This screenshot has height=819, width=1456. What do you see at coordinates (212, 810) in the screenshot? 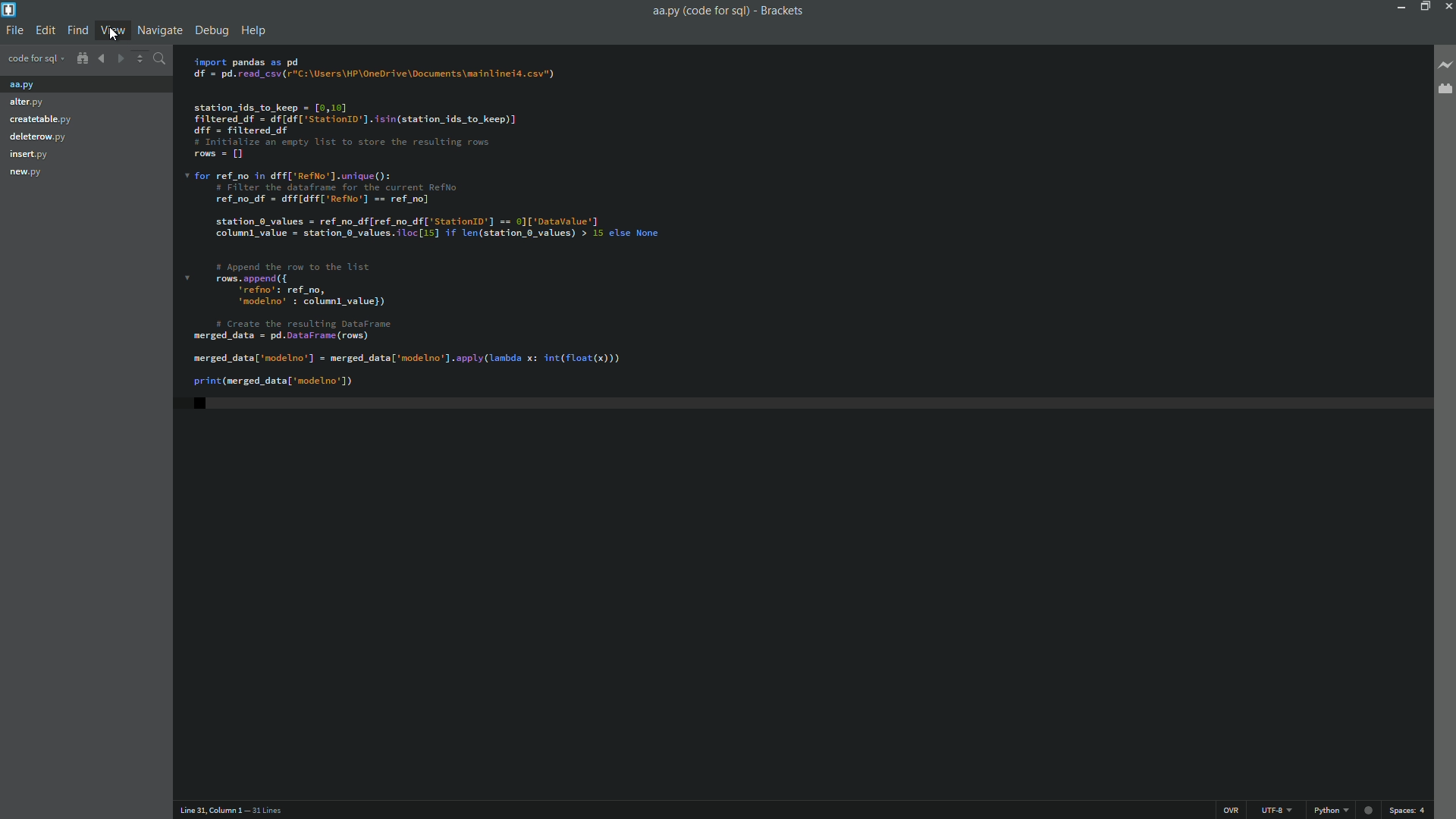
I see `cursor position` at bounding box center [212, 810].